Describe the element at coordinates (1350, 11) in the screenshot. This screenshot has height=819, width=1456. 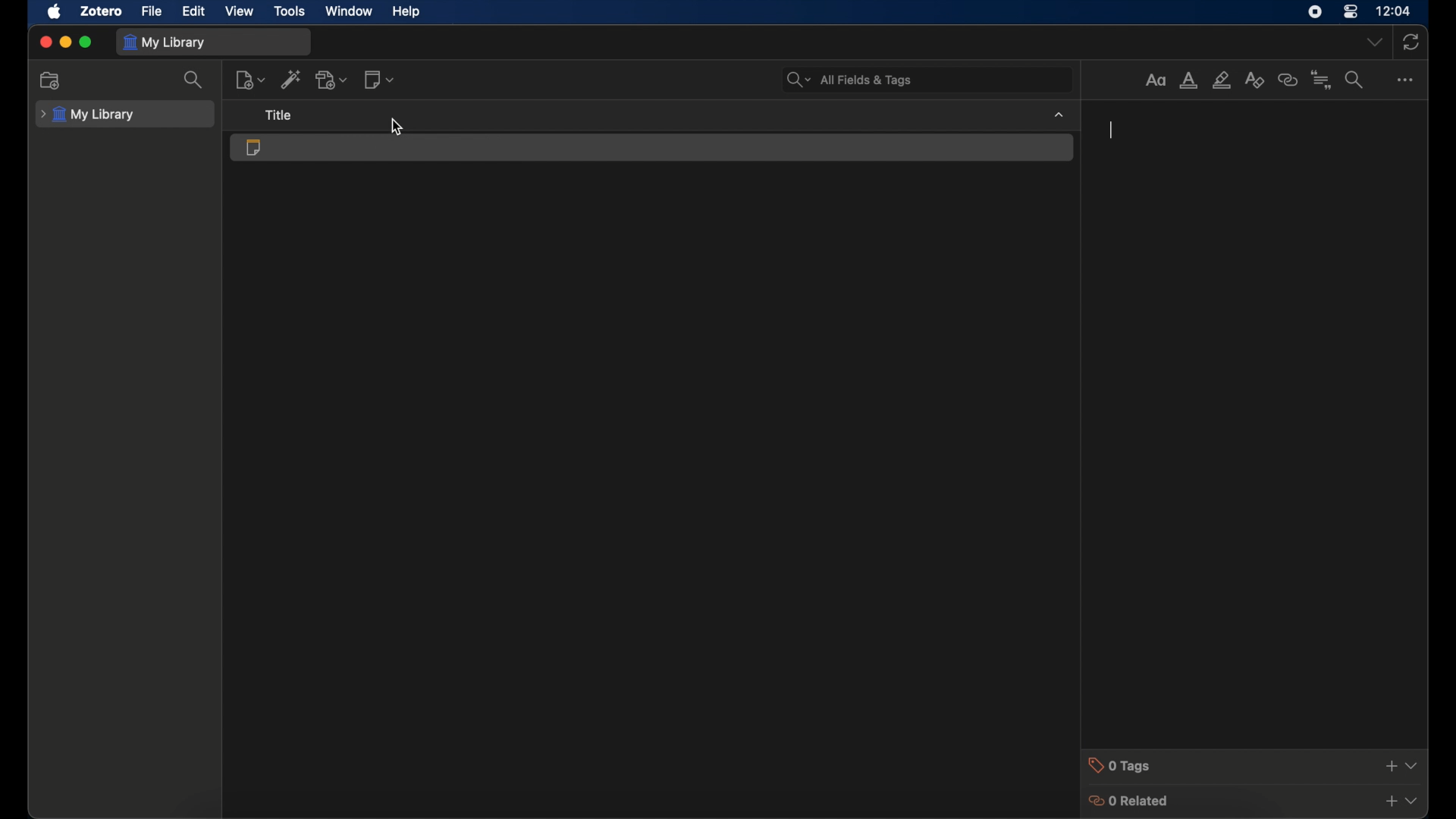
I see `control center` at that location.